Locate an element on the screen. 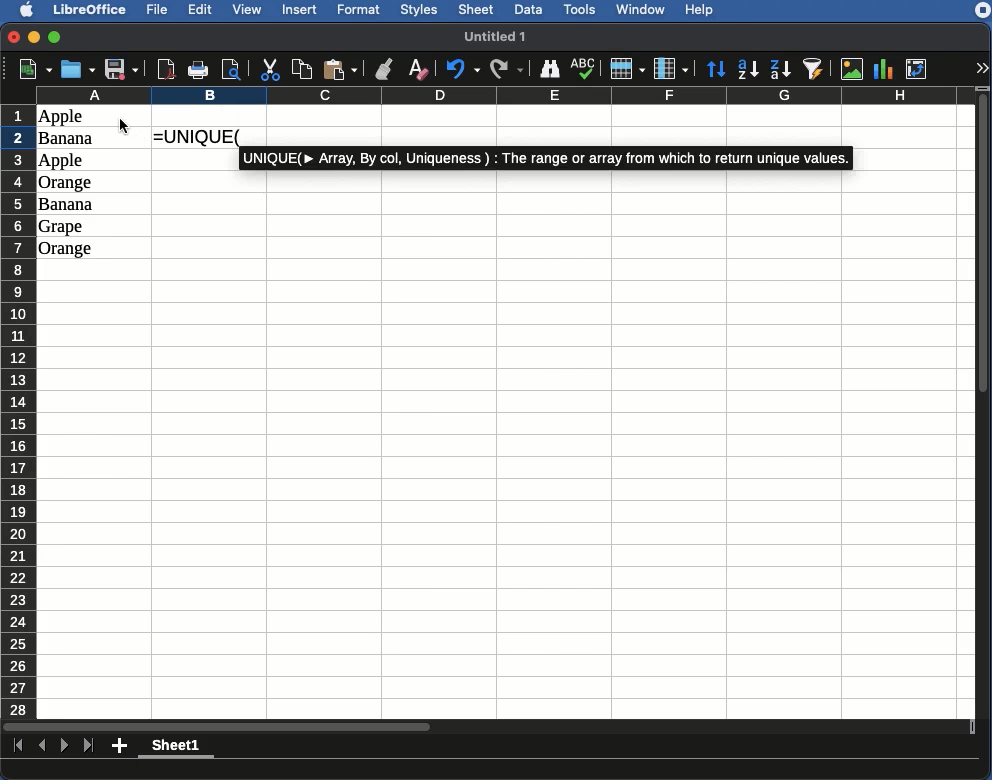  Descending is located at coordinates (781, 68).